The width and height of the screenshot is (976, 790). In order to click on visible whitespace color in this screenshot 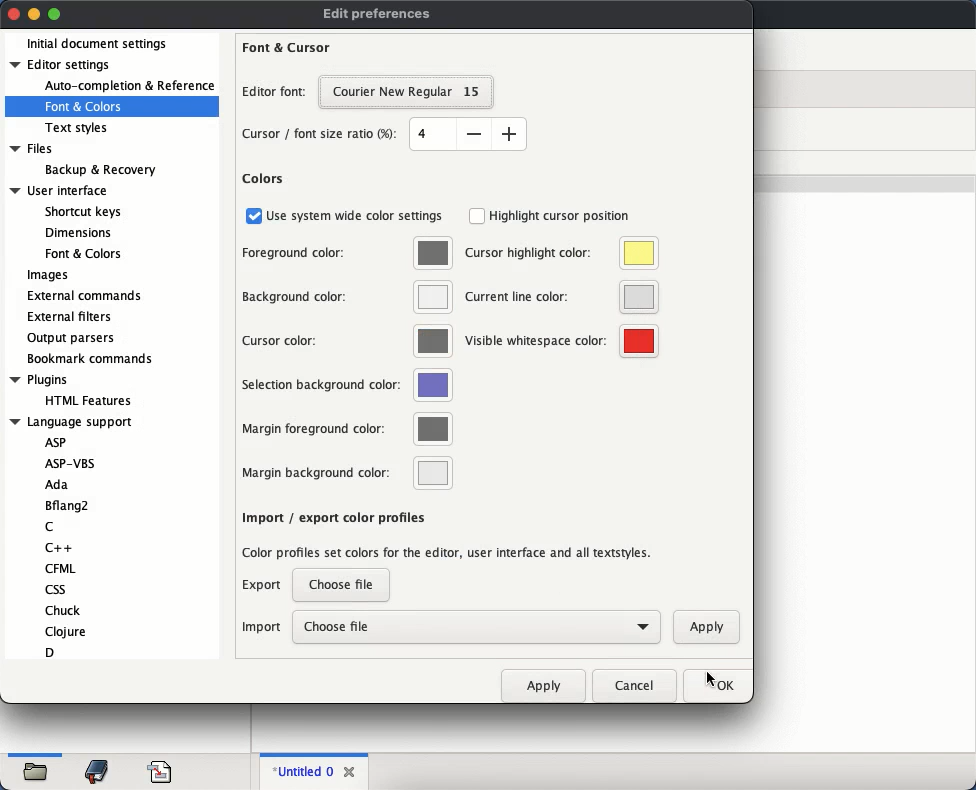, I will do `click(562, 342)`.